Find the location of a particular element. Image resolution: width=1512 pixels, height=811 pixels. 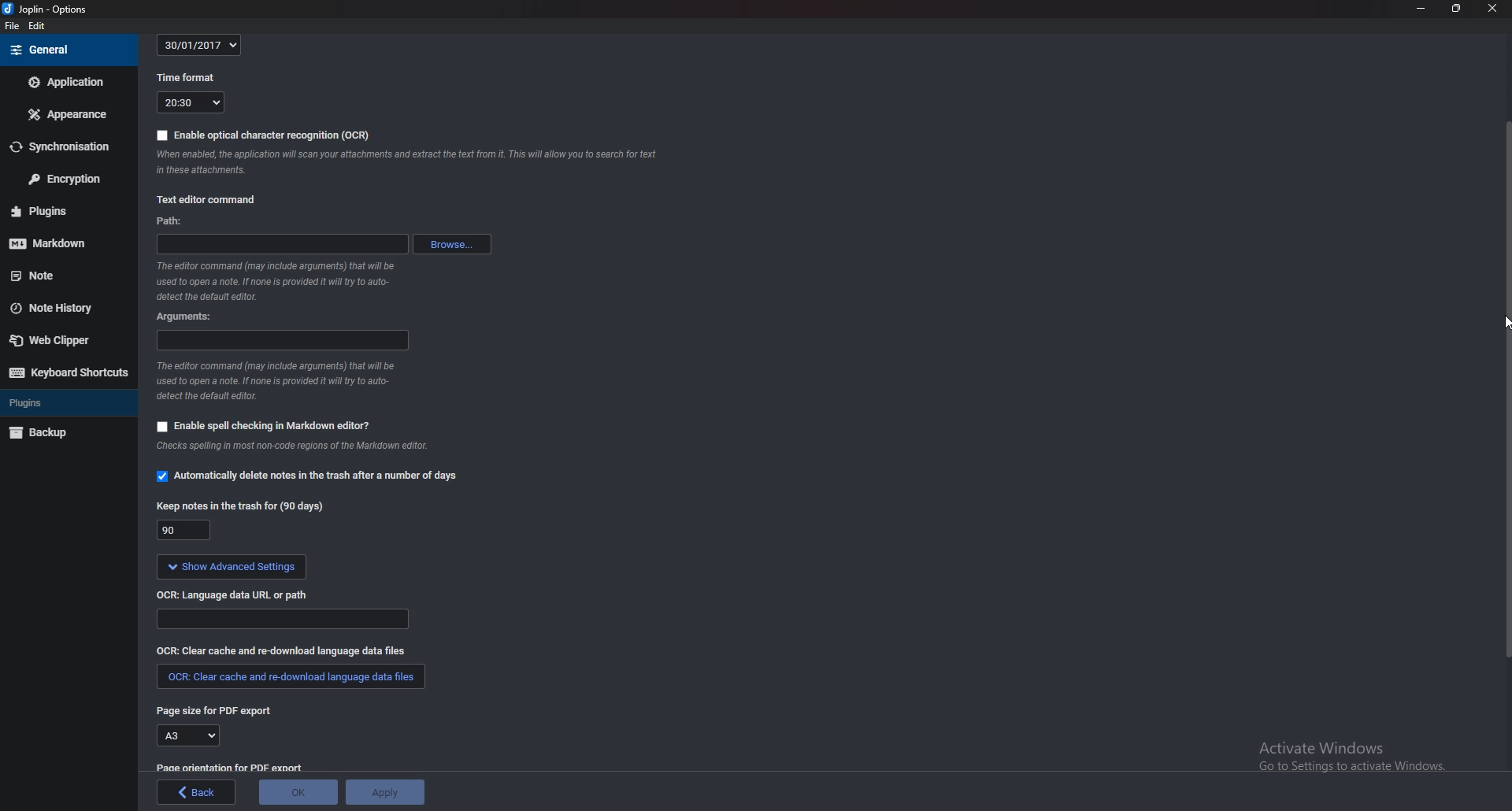

Appearance is located at coordinates (65, 116).